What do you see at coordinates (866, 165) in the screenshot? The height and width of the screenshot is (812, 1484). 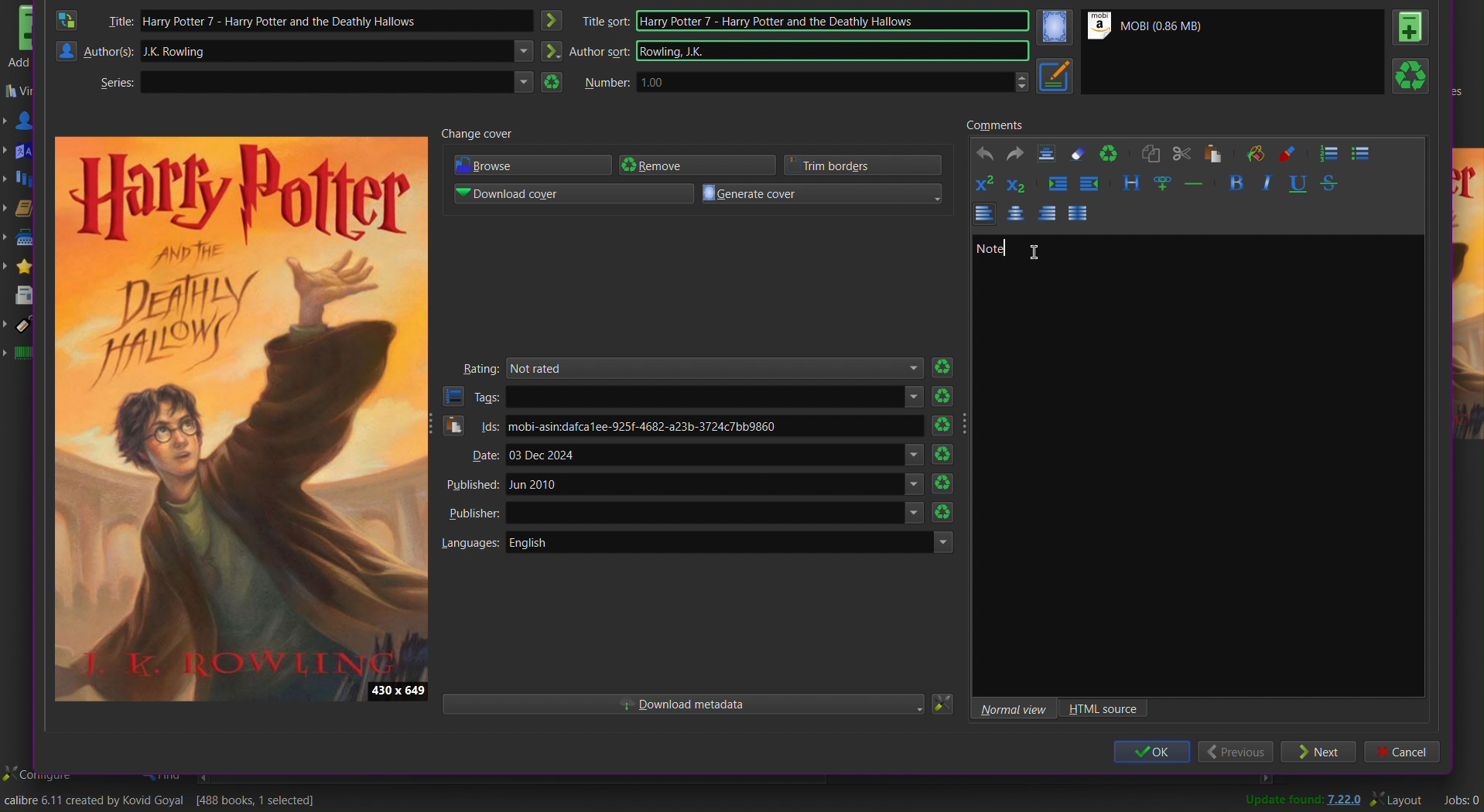 I see `Trim borders` at bounding box center [866, 165].